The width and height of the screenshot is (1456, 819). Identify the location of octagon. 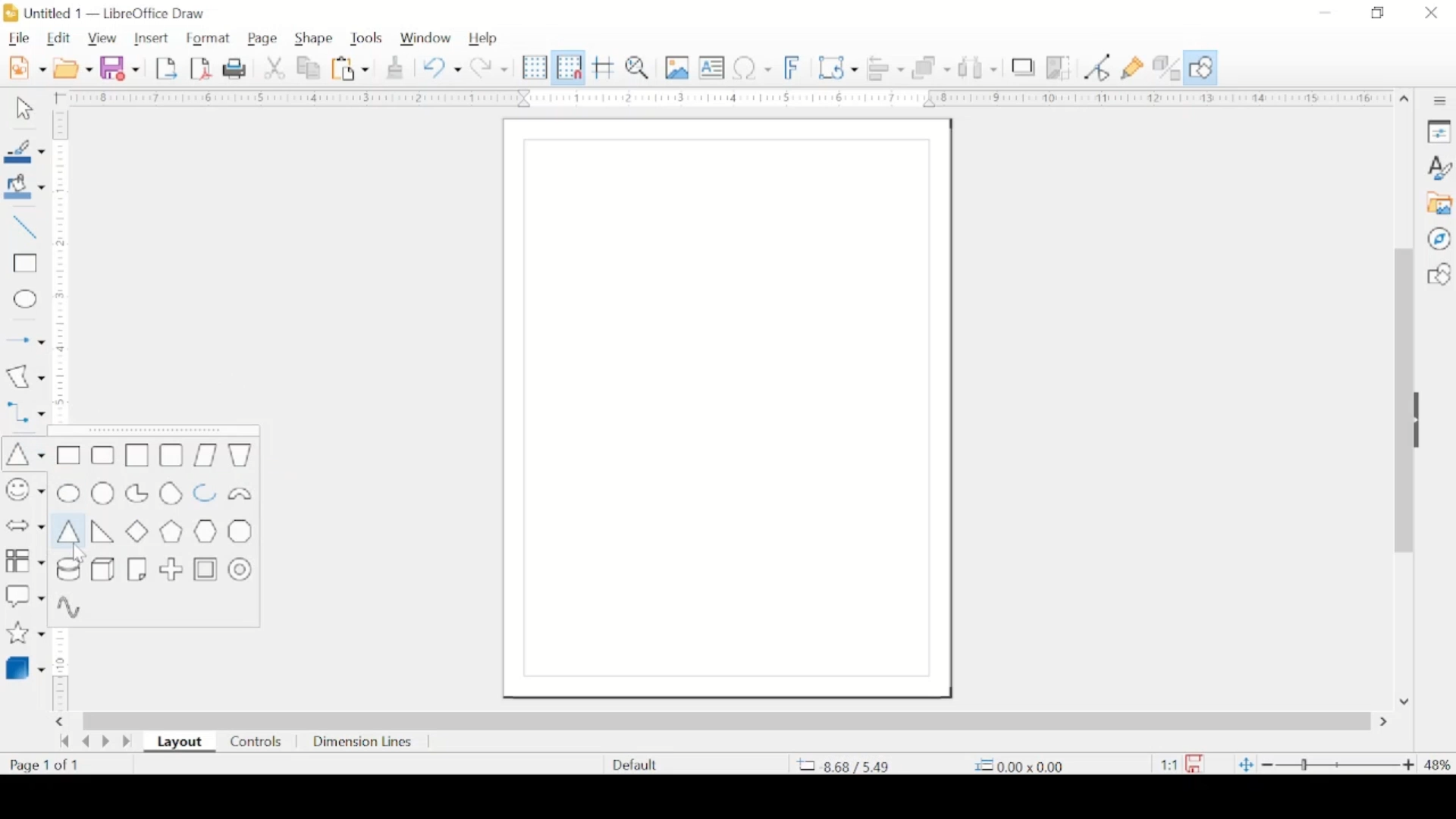
(243, 532).